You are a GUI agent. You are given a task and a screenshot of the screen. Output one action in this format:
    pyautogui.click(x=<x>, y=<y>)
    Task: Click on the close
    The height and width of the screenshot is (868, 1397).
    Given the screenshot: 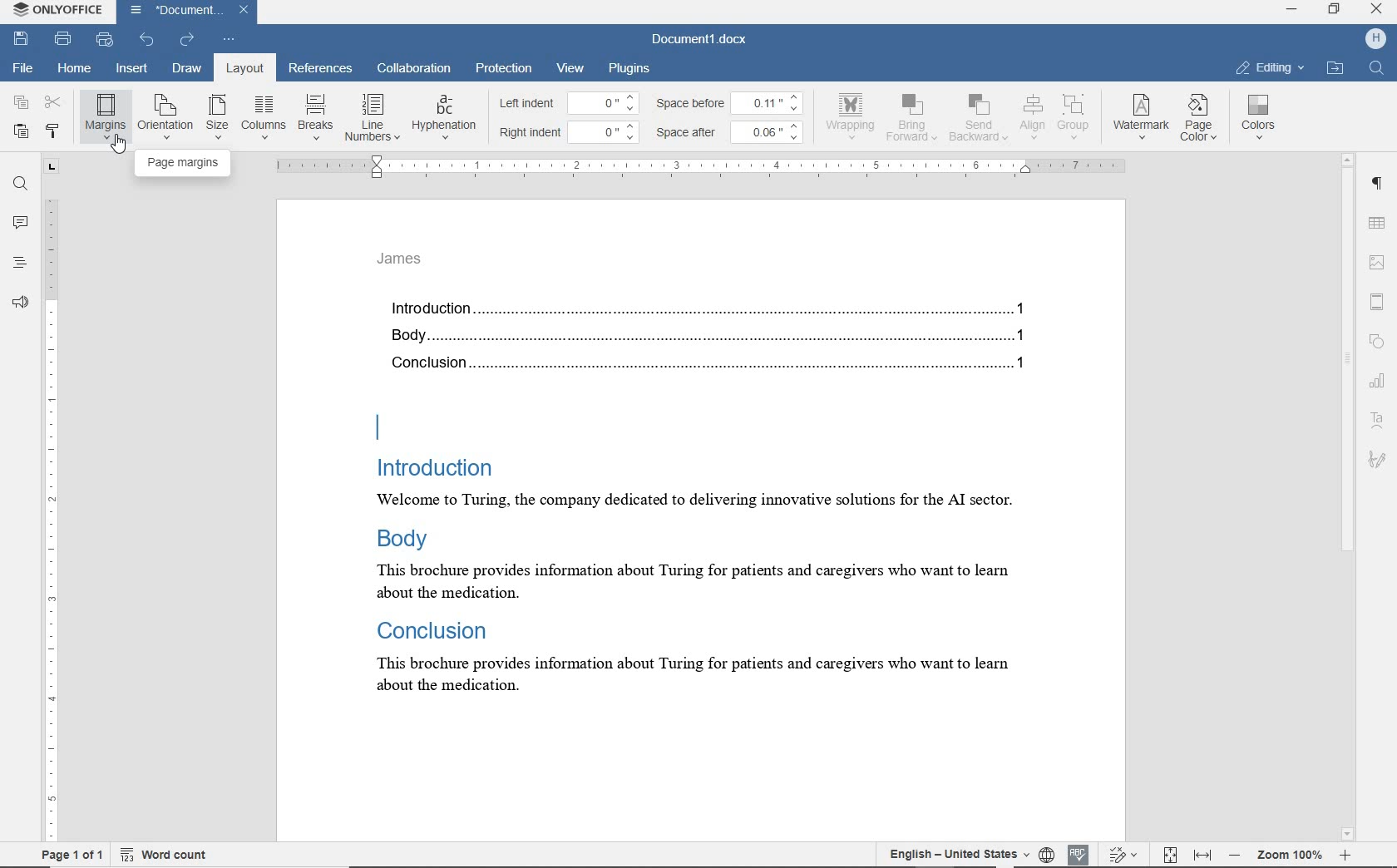 What is the action you would take?
    pyautogui.click(x=249, y=8)
    